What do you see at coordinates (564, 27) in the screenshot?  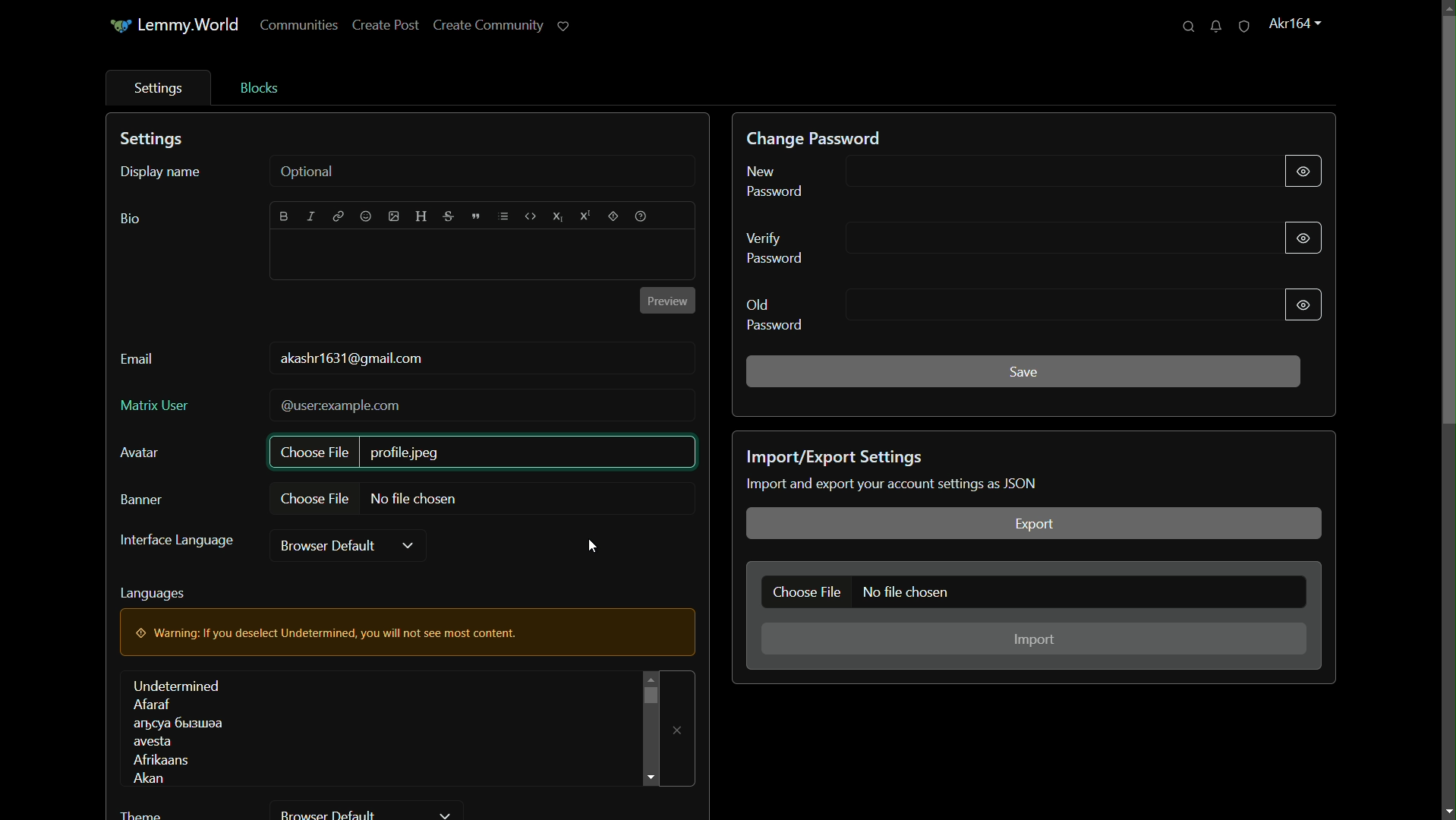 I see `support lemmy` at bounding box center [564, 27].